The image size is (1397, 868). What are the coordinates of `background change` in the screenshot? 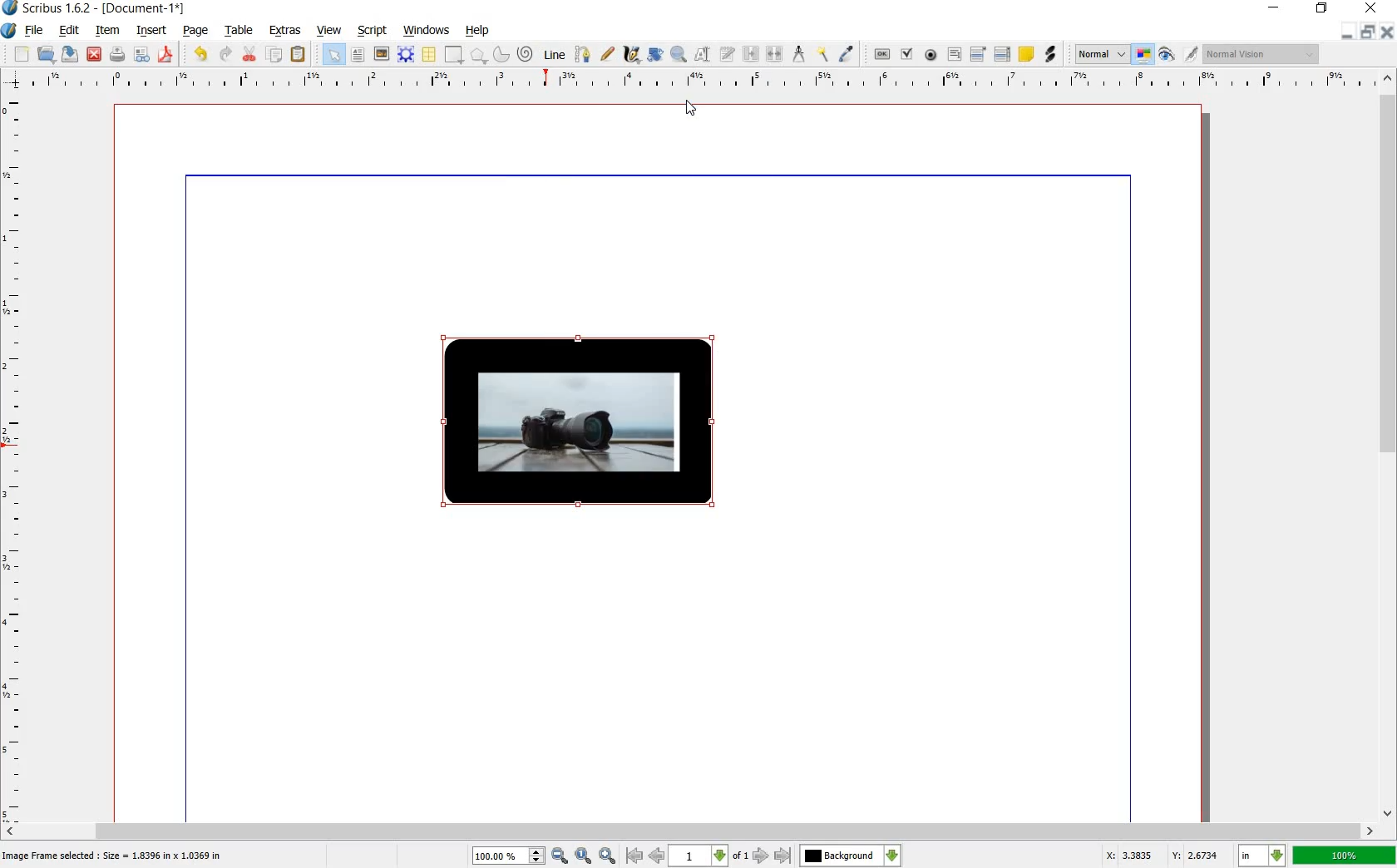 It's located at (850, 856).